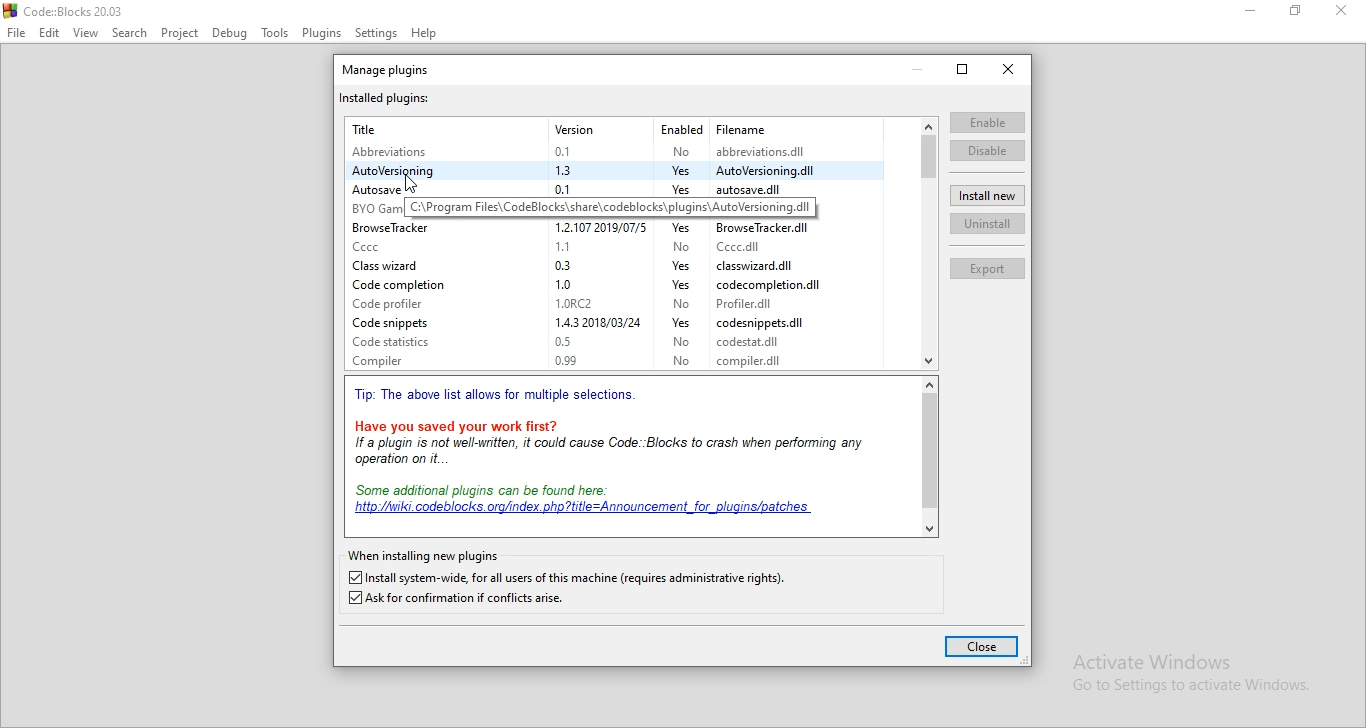 The width and height of the screenshot is (1366, 728). Describe the element at coordinates (928, 530) in the screenshot. I see `Scroll down` at that location.